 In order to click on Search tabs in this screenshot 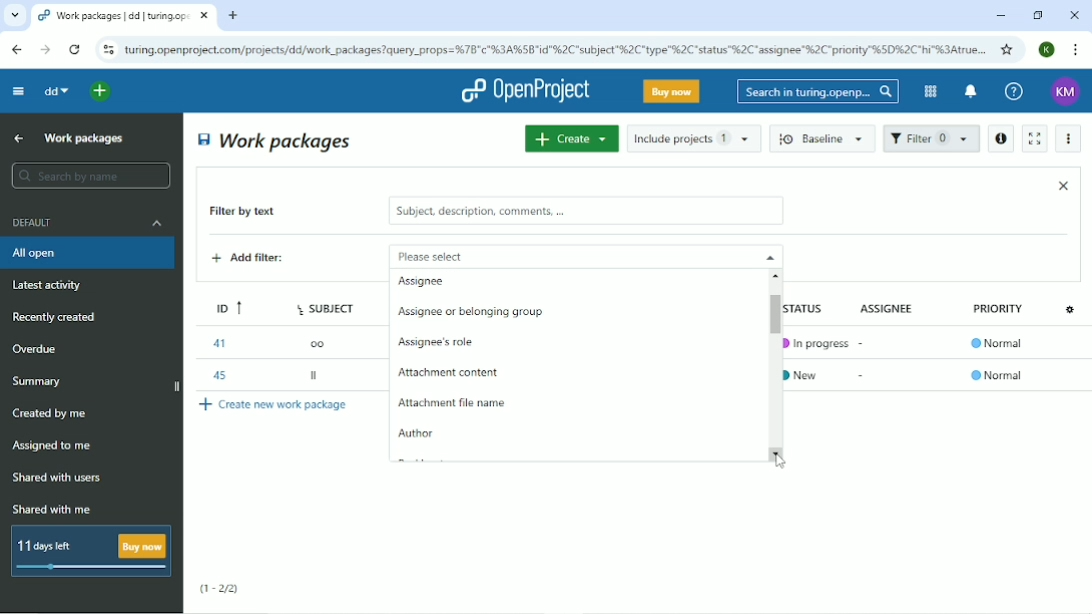, I will do `click(15, 16)`.